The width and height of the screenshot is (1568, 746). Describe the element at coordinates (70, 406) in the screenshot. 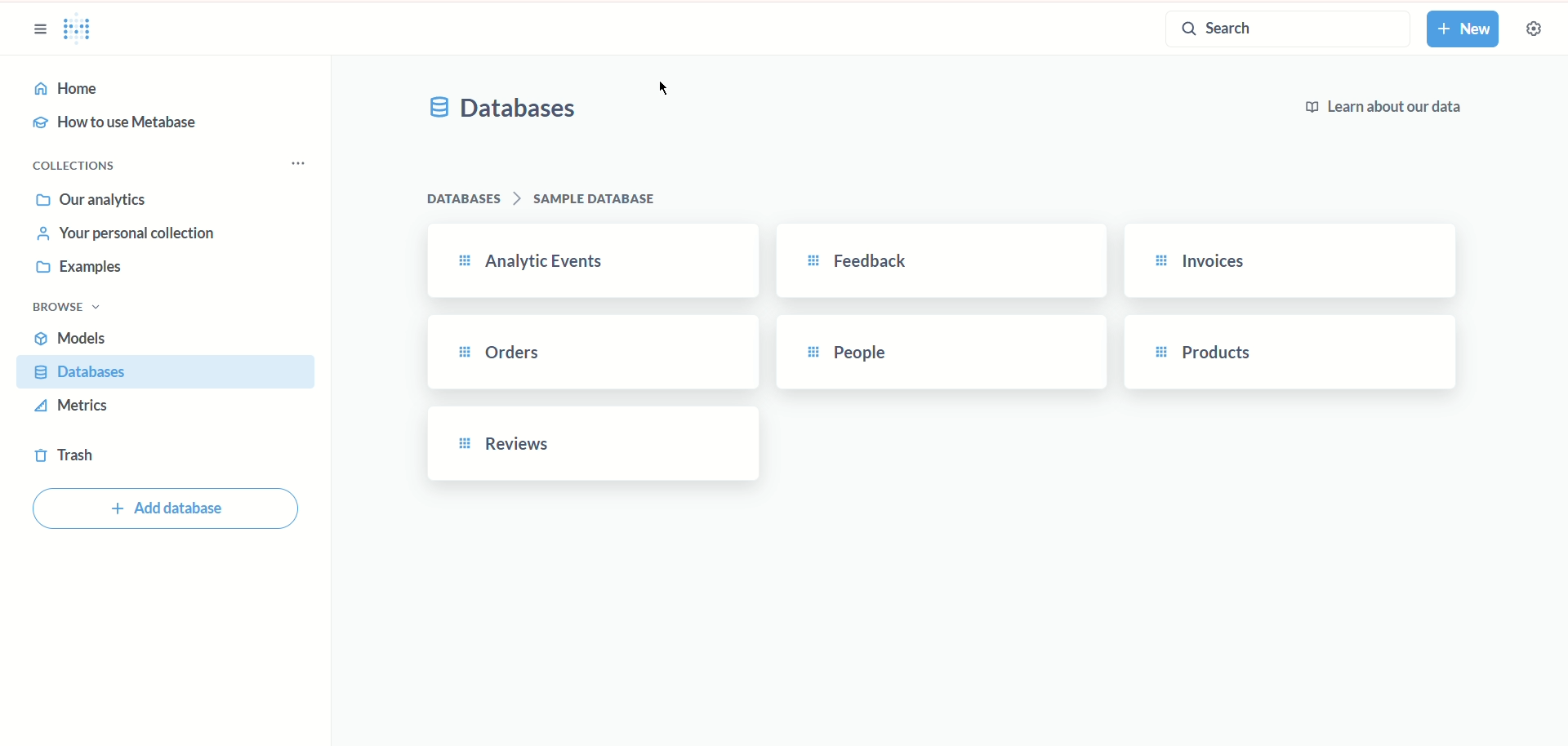

I see `metrics` at that location.